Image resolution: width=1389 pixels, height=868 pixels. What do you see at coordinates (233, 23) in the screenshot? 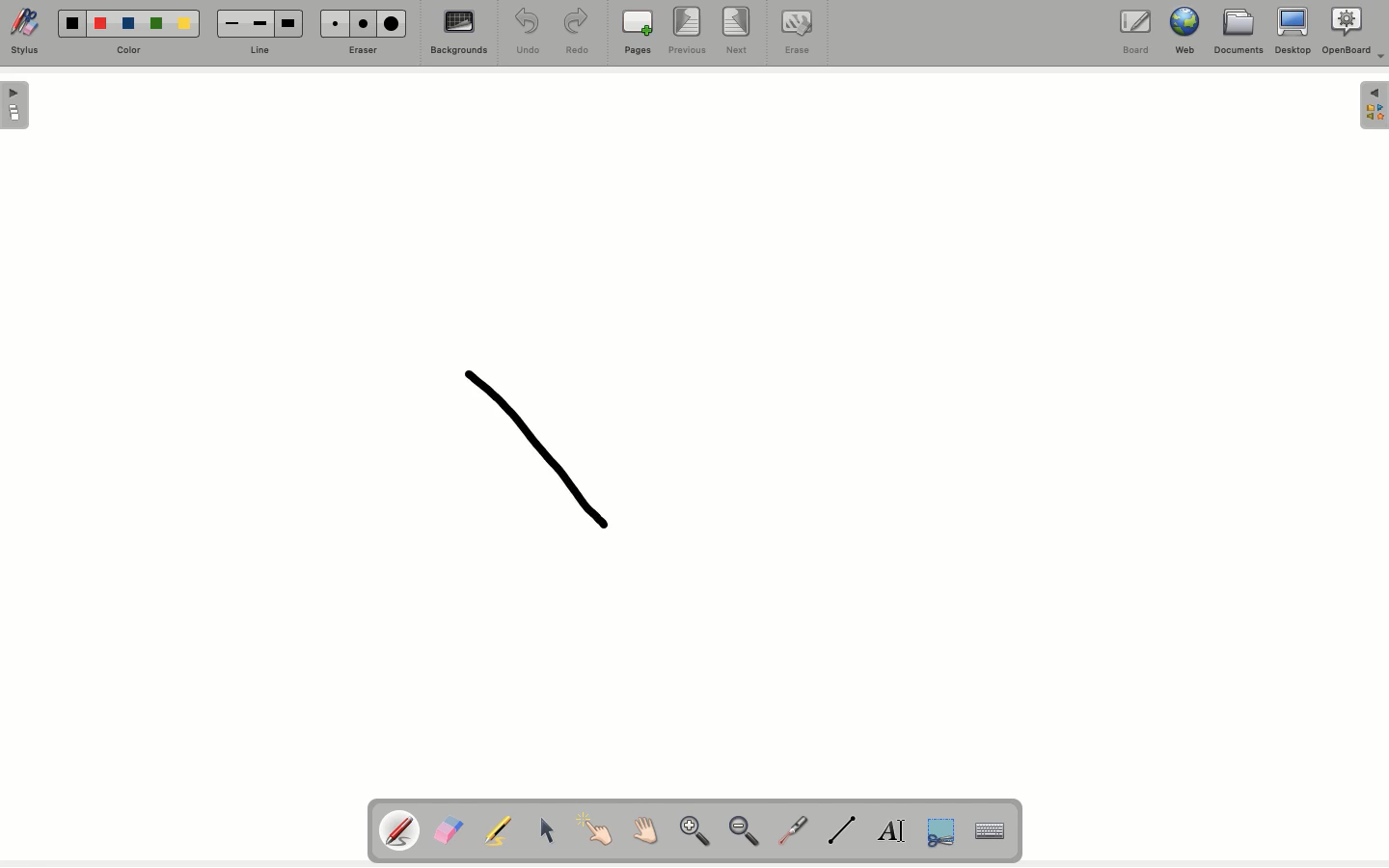
I see `Small` at bounding box center [233, 23].